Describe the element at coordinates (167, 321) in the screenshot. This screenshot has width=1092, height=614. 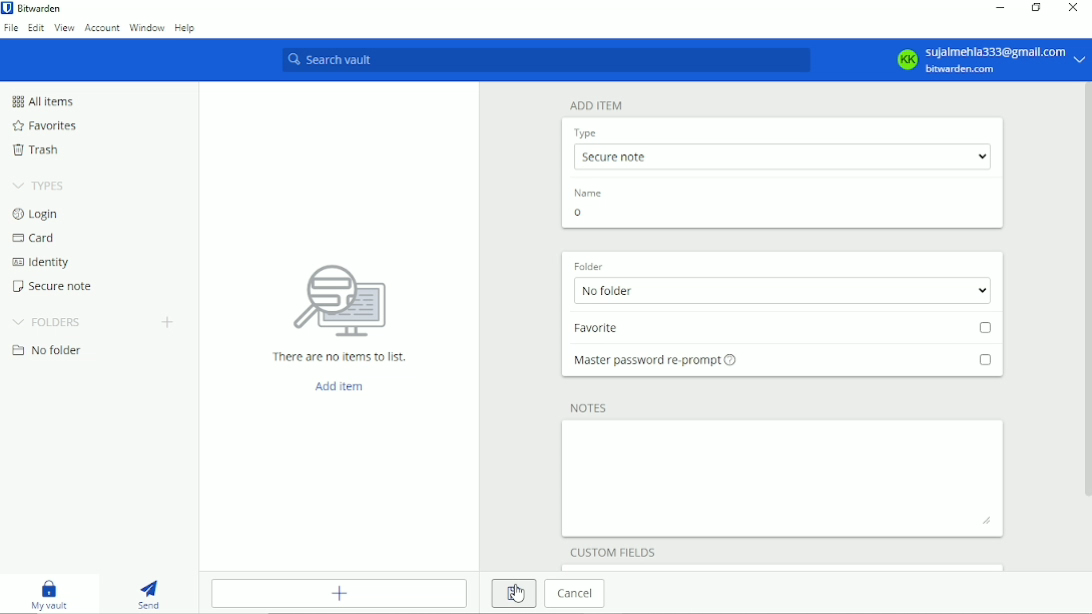
I see `Create folder` at that location.